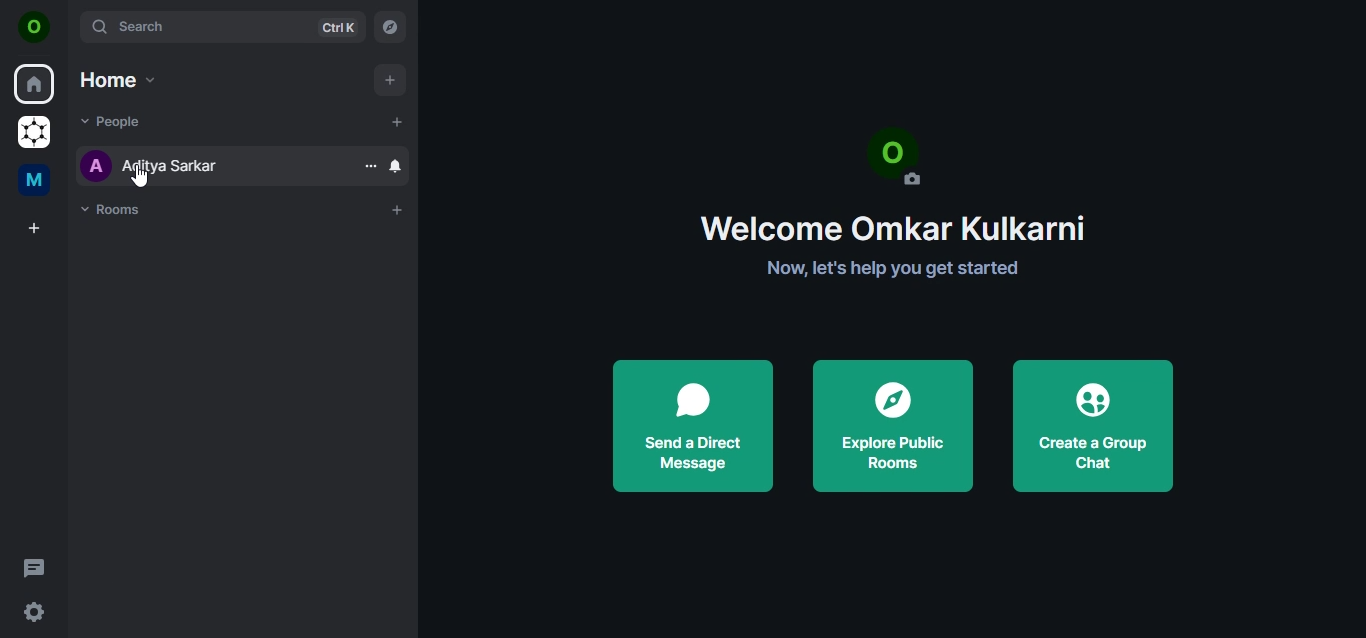  What do you see at coordinates (35, 29) in the screenshot?
I see `view profile` at bounding box center [35, 29].